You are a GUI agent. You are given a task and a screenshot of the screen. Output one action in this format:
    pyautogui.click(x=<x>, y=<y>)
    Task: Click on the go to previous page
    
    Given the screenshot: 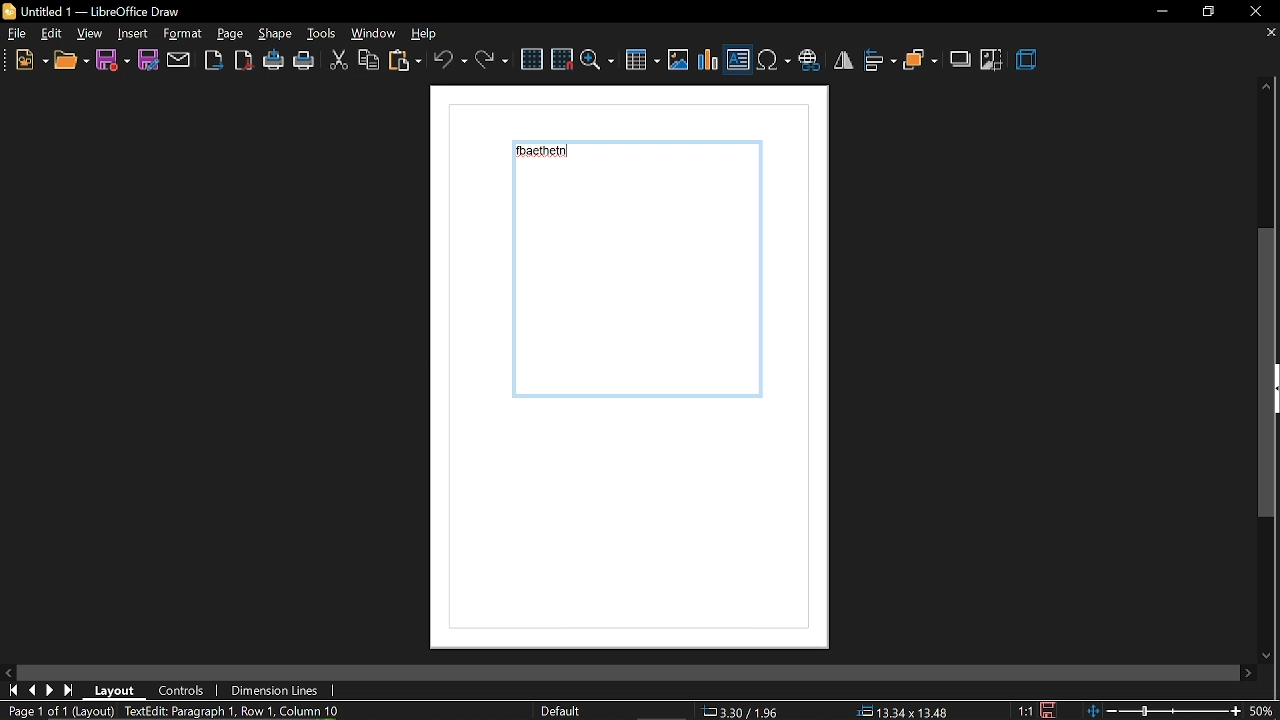 What is the action you would take?
    pyautogui.click(x=32, y=691)
    